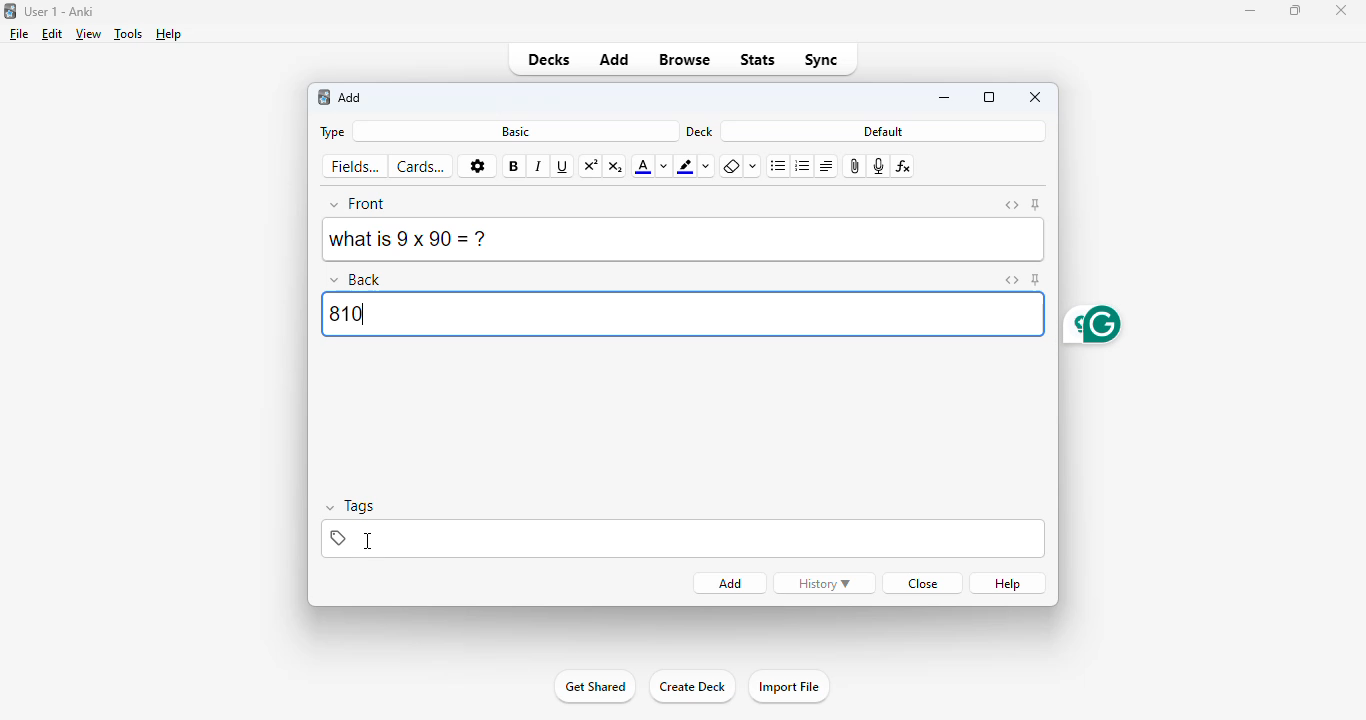 The height and width of the screenshot is (720, 1366). Describe the element at coordinates (330, 132) in the screenshot. I see `type` at that location.